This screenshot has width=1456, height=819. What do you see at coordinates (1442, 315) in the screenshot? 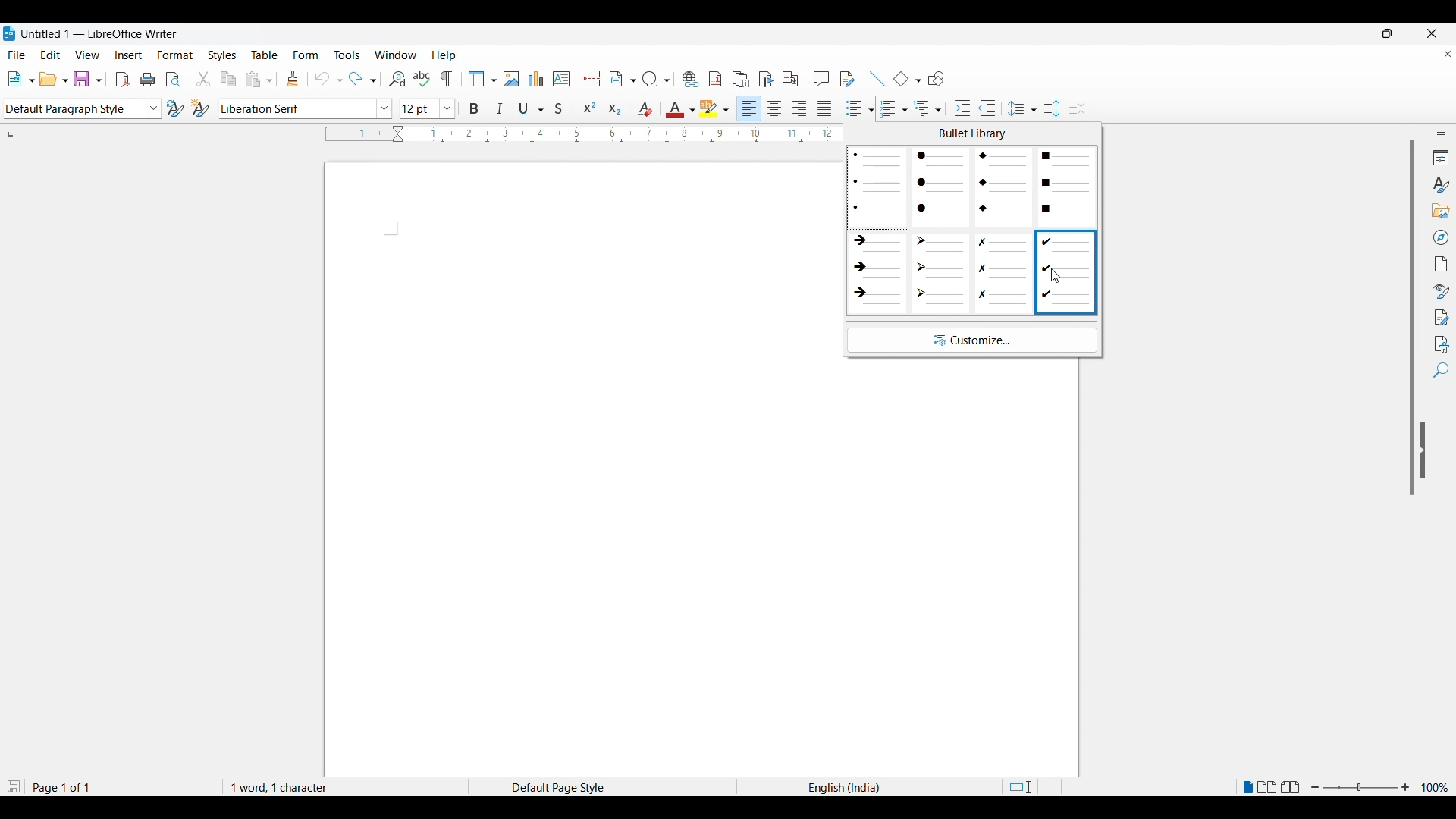
I see `Manage changes` at bounding box center [1442, 315].